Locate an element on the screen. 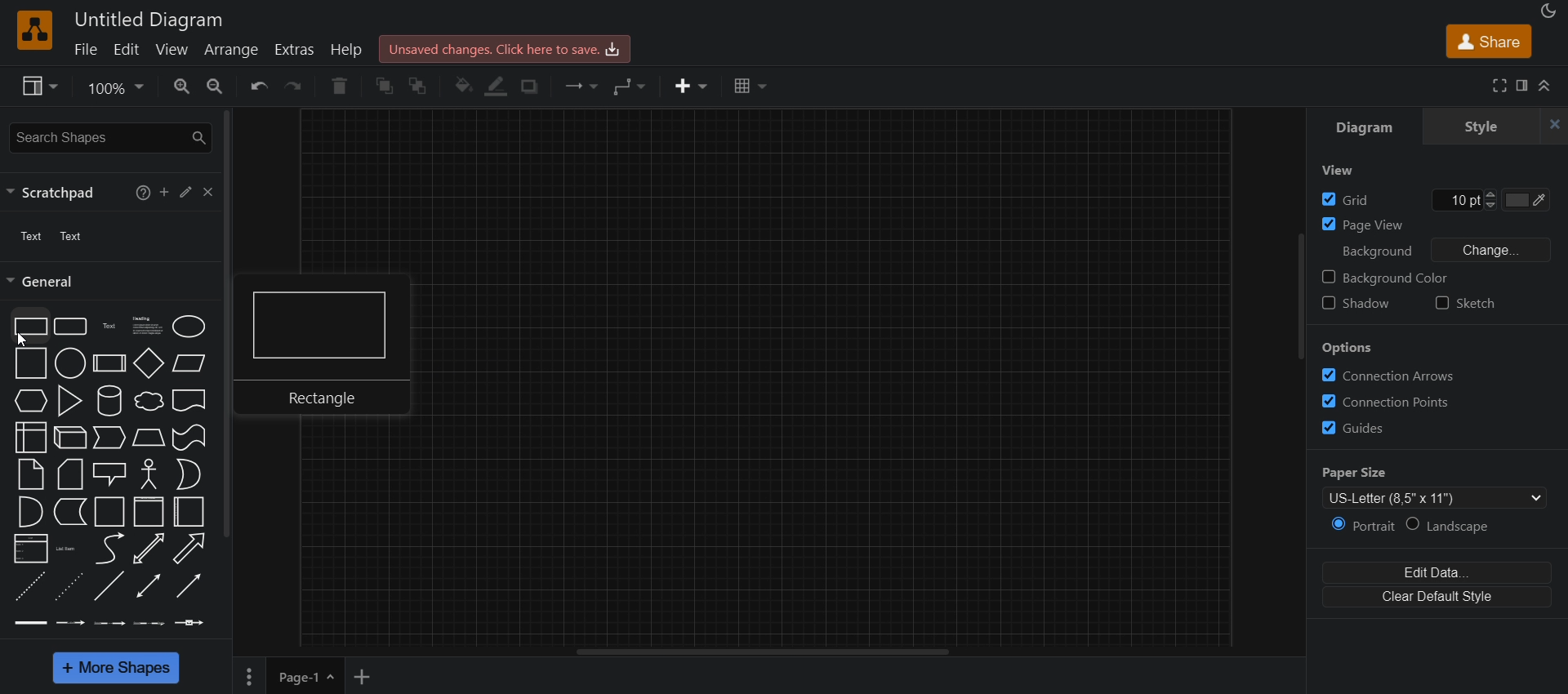 This screenshot has width=1568, height=694. current grid is located at coordinates (1459, 198).